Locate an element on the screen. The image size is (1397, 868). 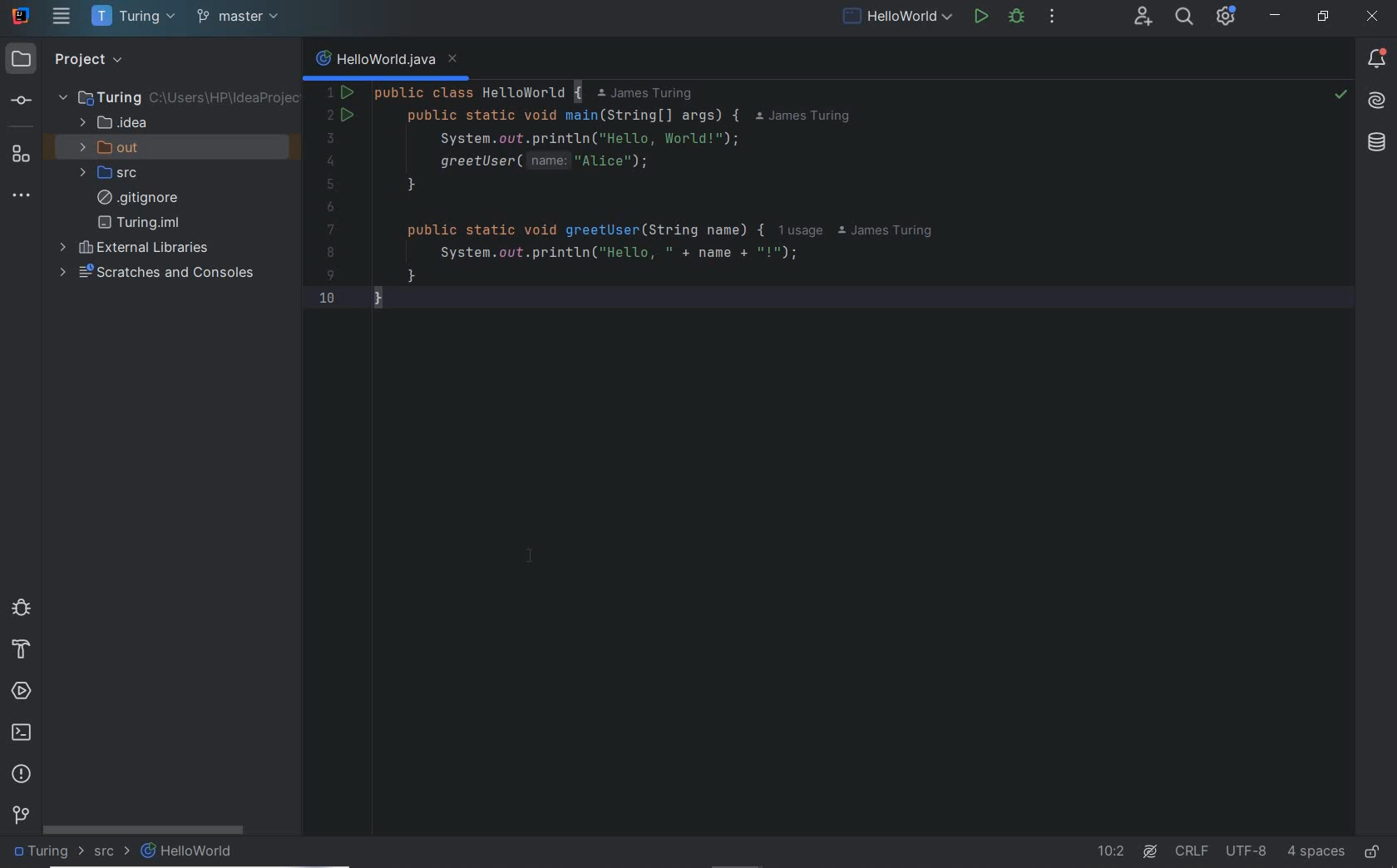
MINIMIZE is located at coordinates (1276, 15).